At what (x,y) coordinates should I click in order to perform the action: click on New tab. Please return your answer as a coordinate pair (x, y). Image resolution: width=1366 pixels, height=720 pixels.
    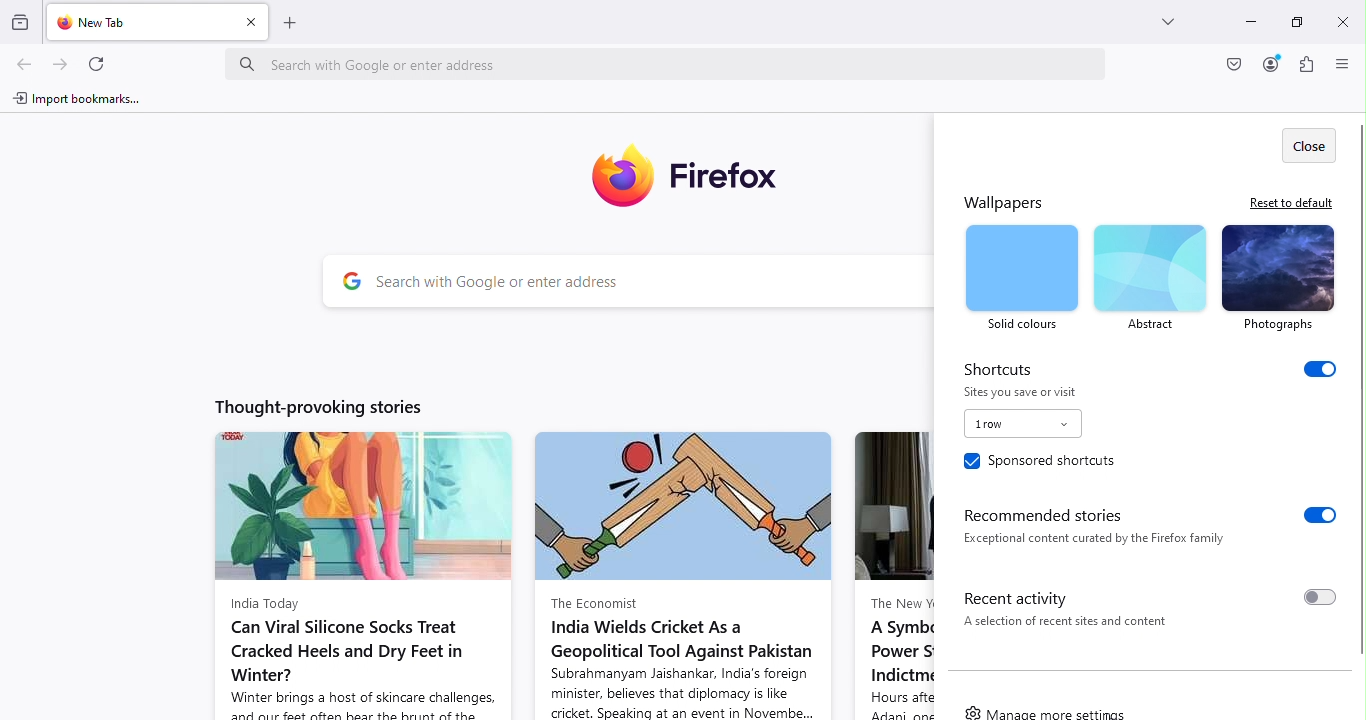
    Looking at the image, I should click on (136, 21).